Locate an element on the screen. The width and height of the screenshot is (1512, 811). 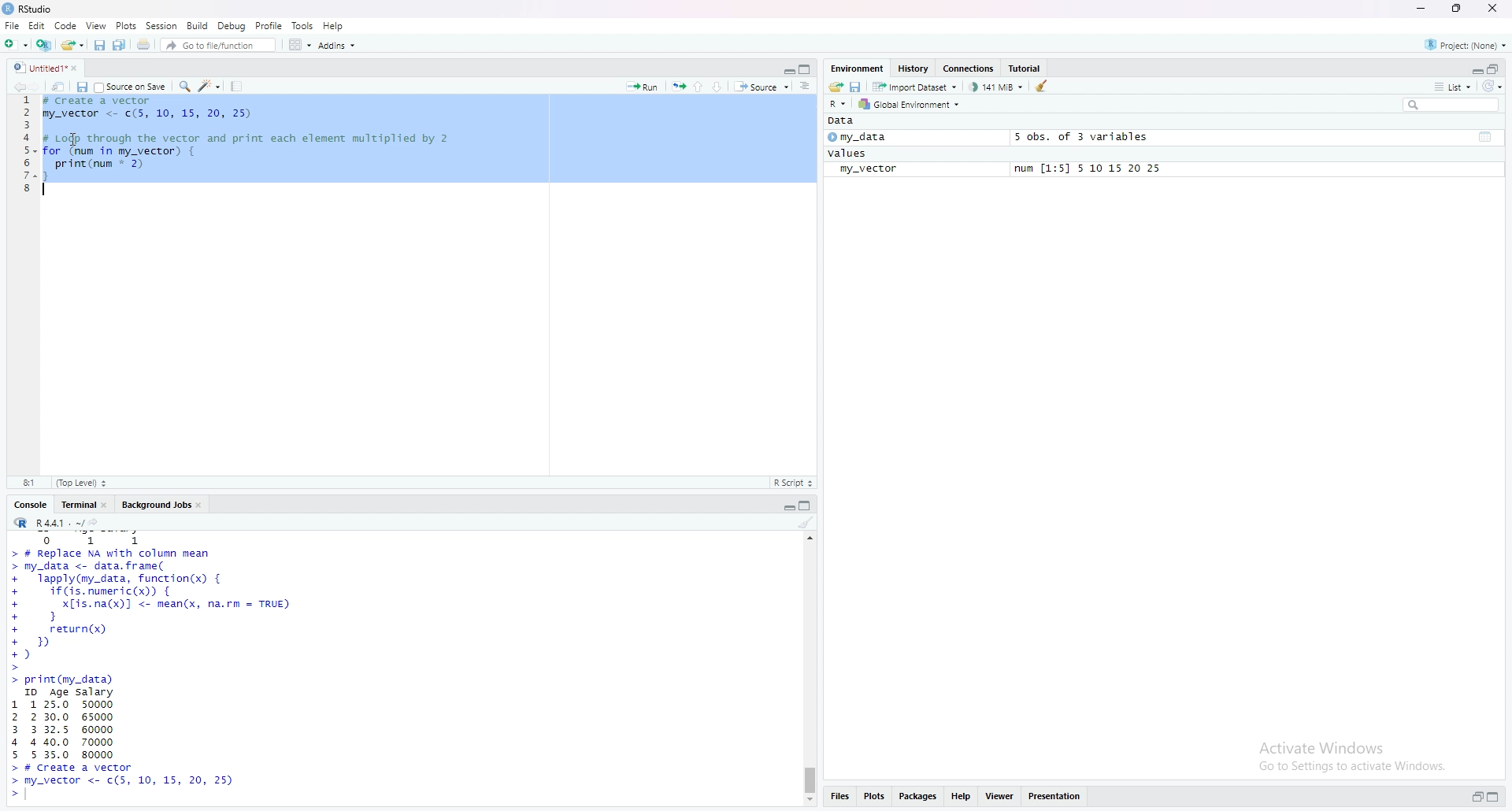
go forward is located at coordinates (39, 87).